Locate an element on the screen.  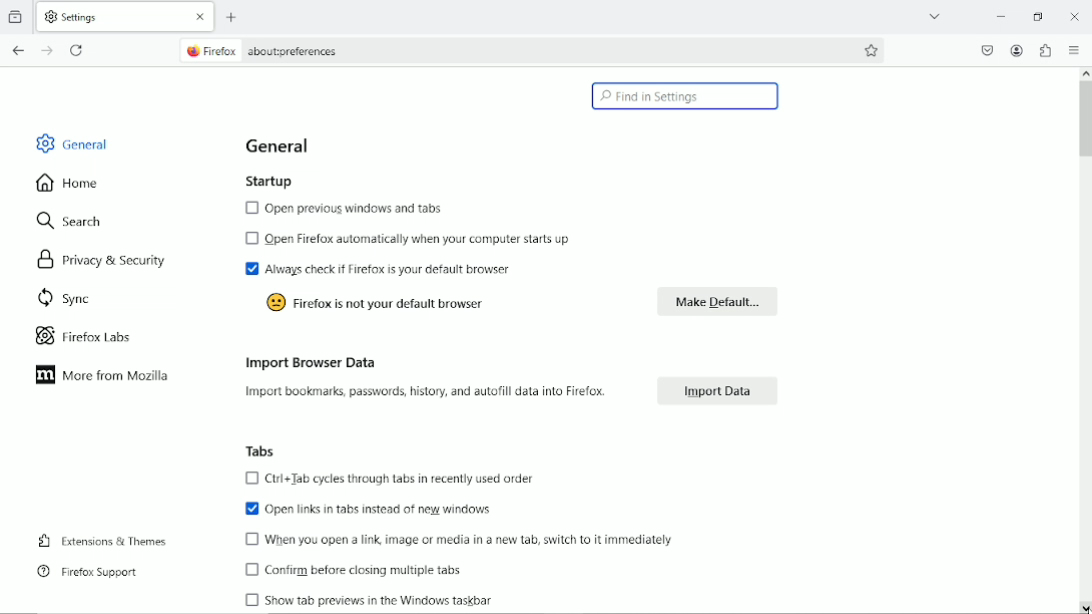
When you open a link, image or media in an new tab switch to it immediately. is located at coordinates (464, 539).